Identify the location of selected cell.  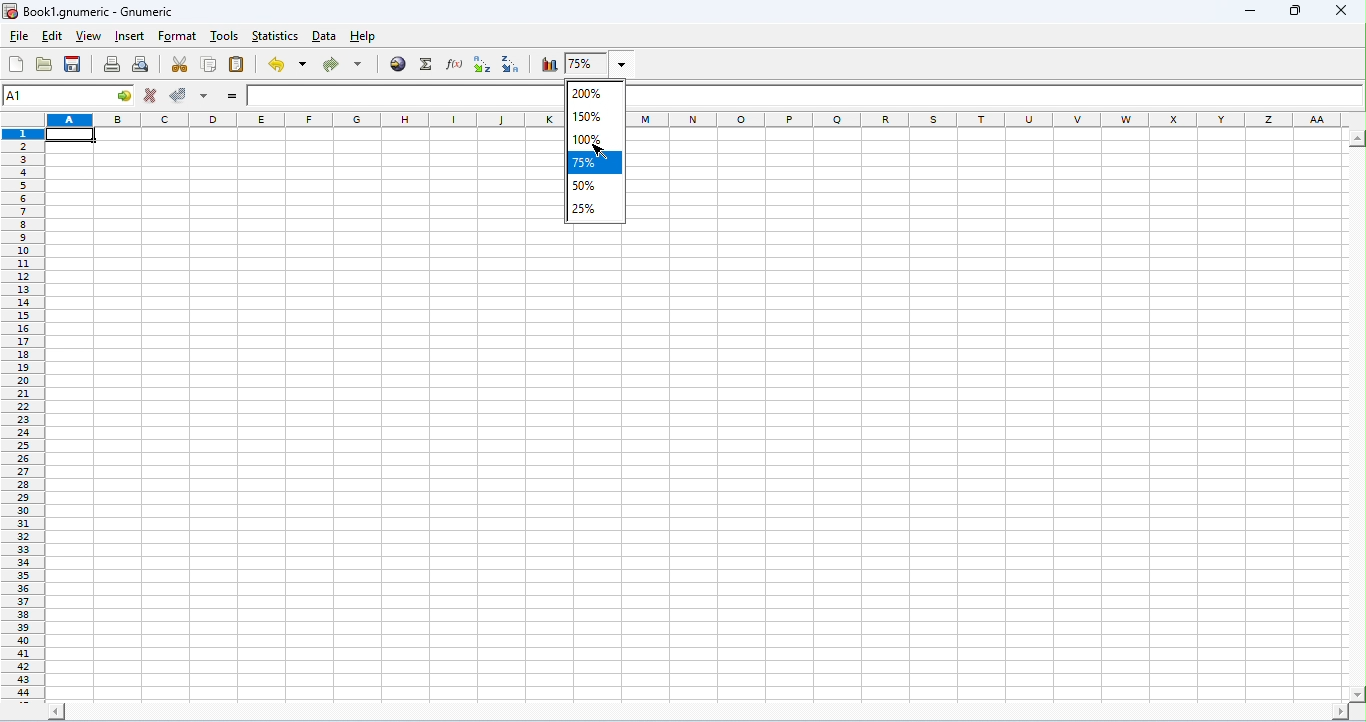
(71, 134).